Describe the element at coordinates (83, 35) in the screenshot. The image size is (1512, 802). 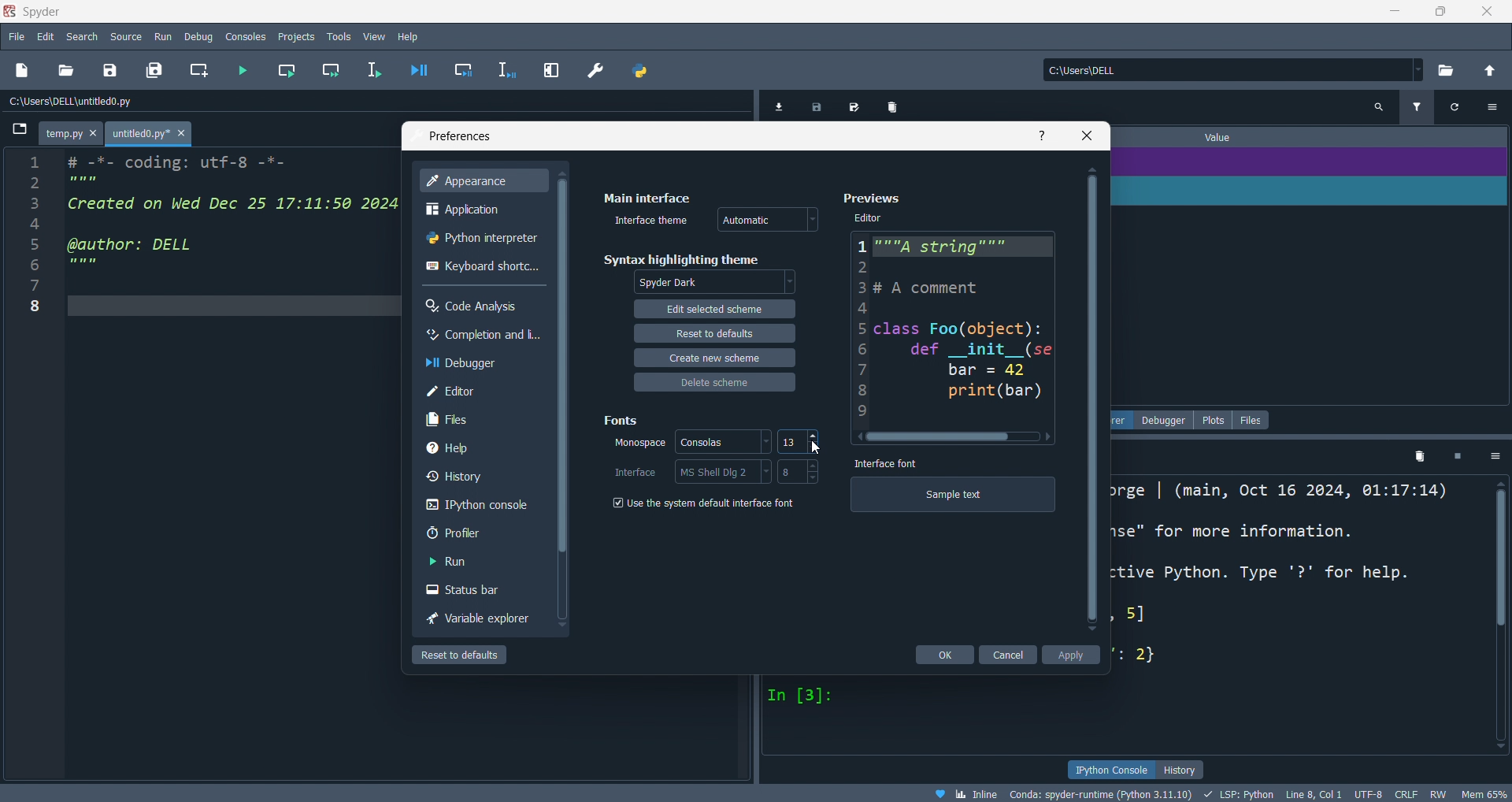
I see `search` at that location.